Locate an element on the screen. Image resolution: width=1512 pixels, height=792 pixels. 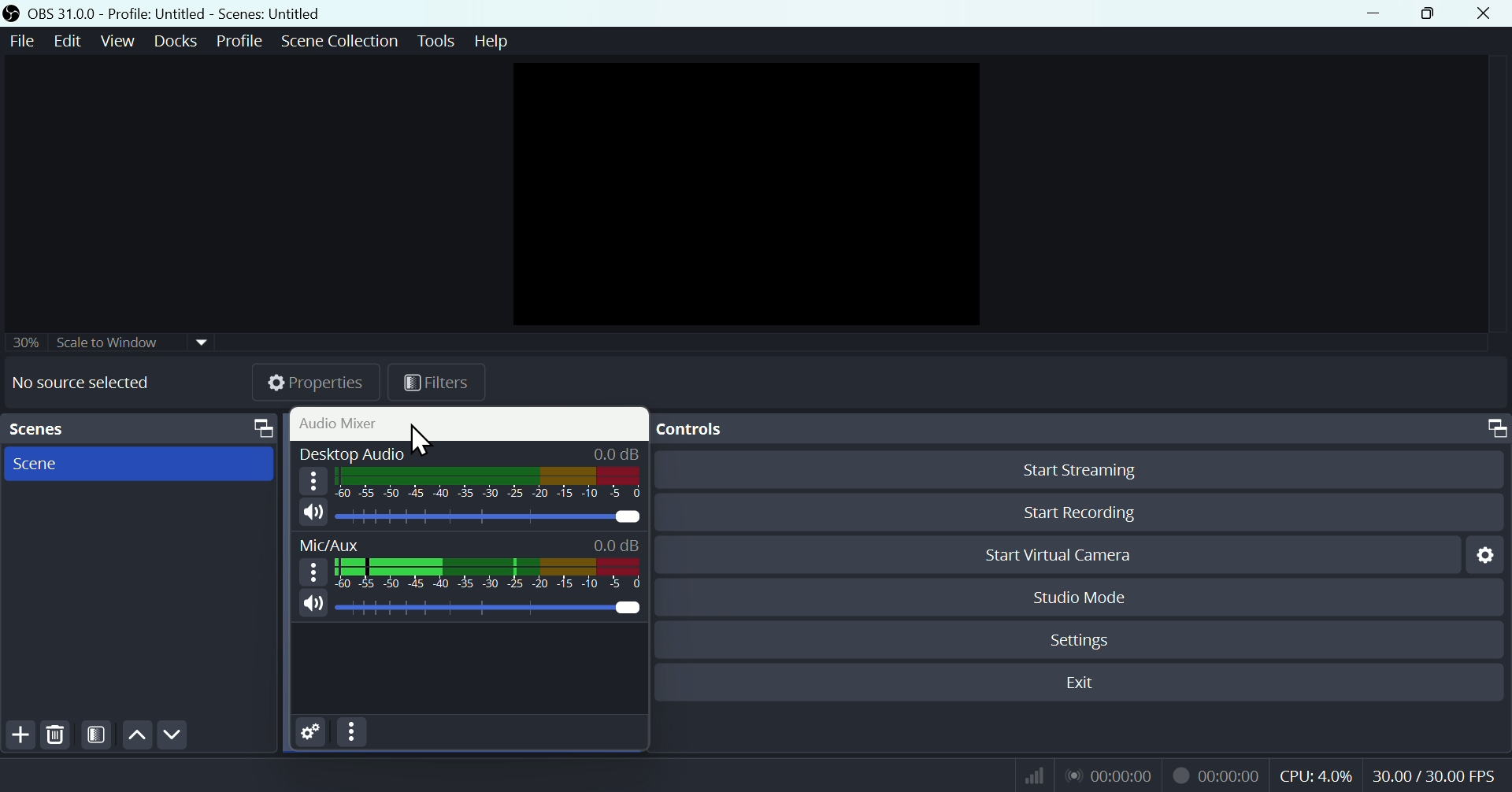
Studio mode is located at coordinates (1078, 598).